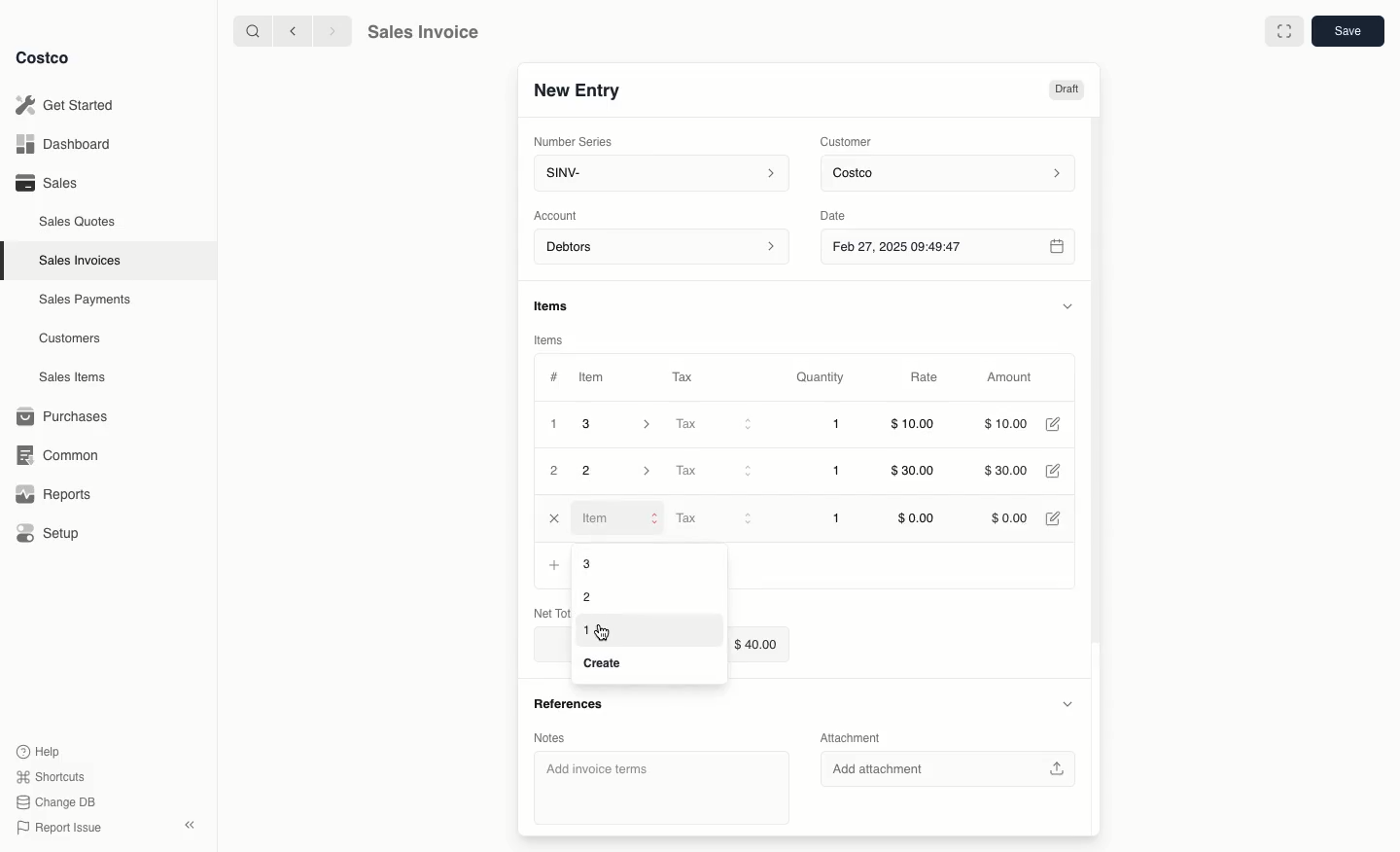 The width and height of the screenshot is (1400, 852). I want to click on Feb 27, 2025 09:49:47, so click(947, 246).